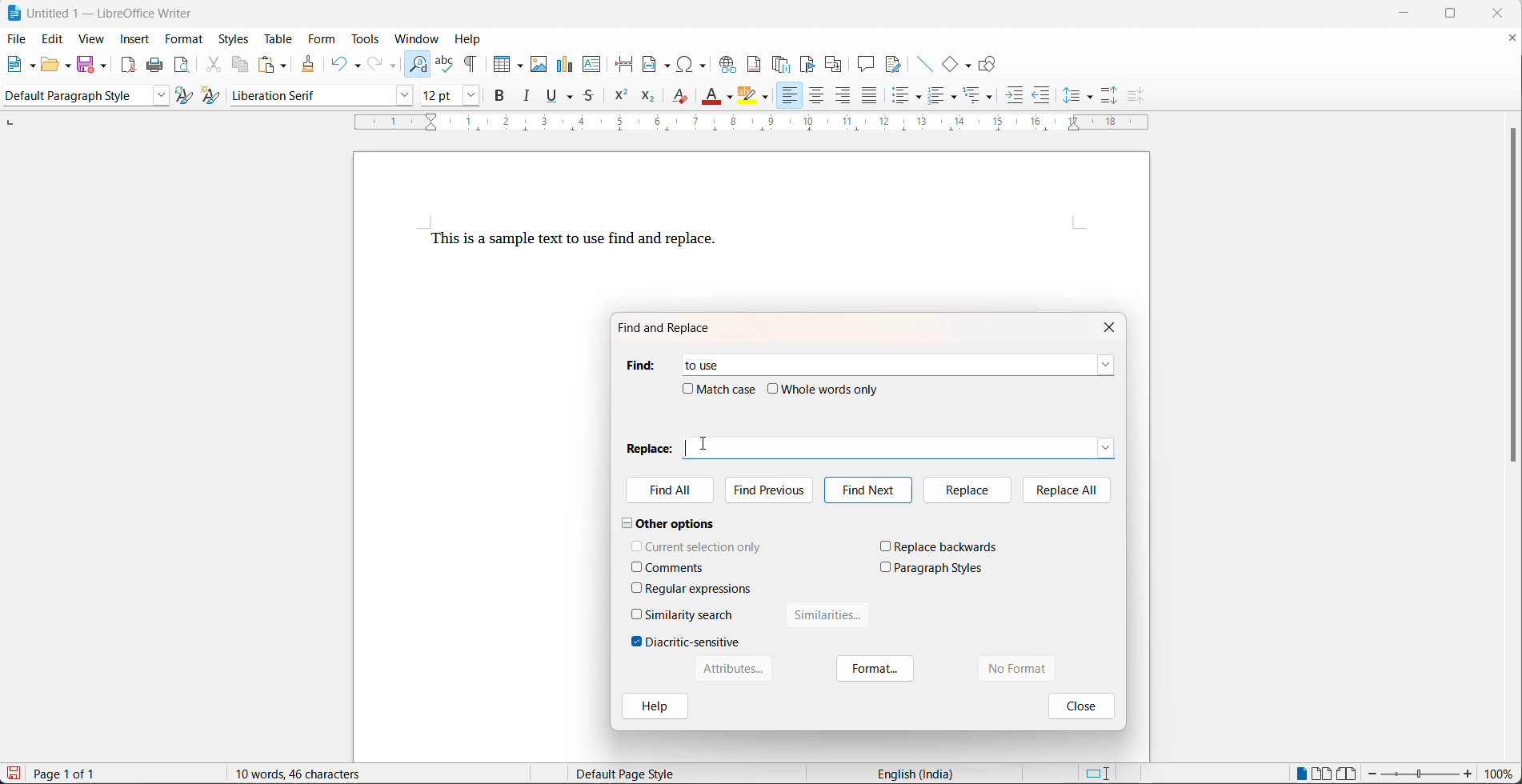 The width and height of the screenshot is (1522, 784). I want to click on redo, so click(376, 64).